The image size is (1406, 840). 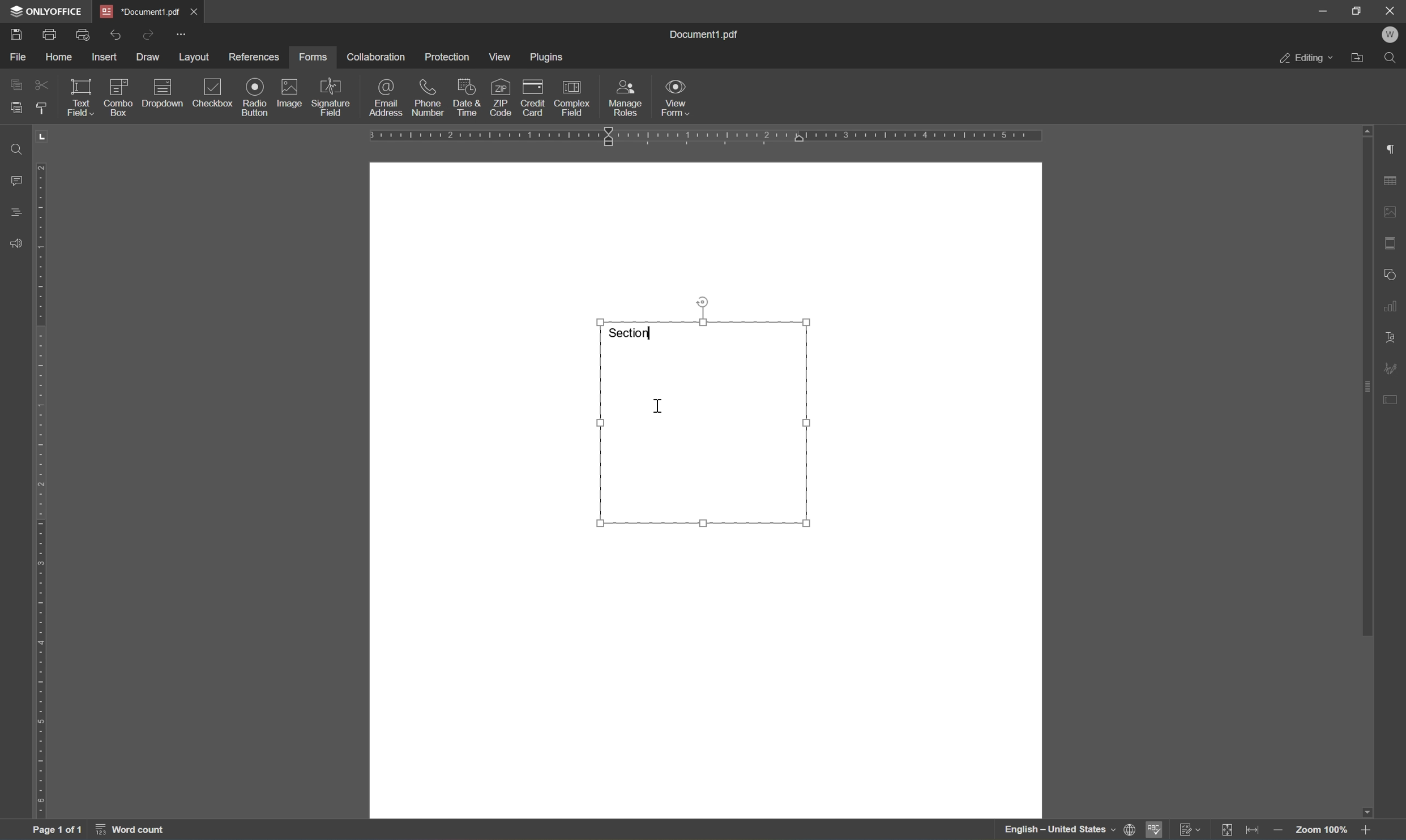 I want to click on zip code, so click(x=502, y=97).